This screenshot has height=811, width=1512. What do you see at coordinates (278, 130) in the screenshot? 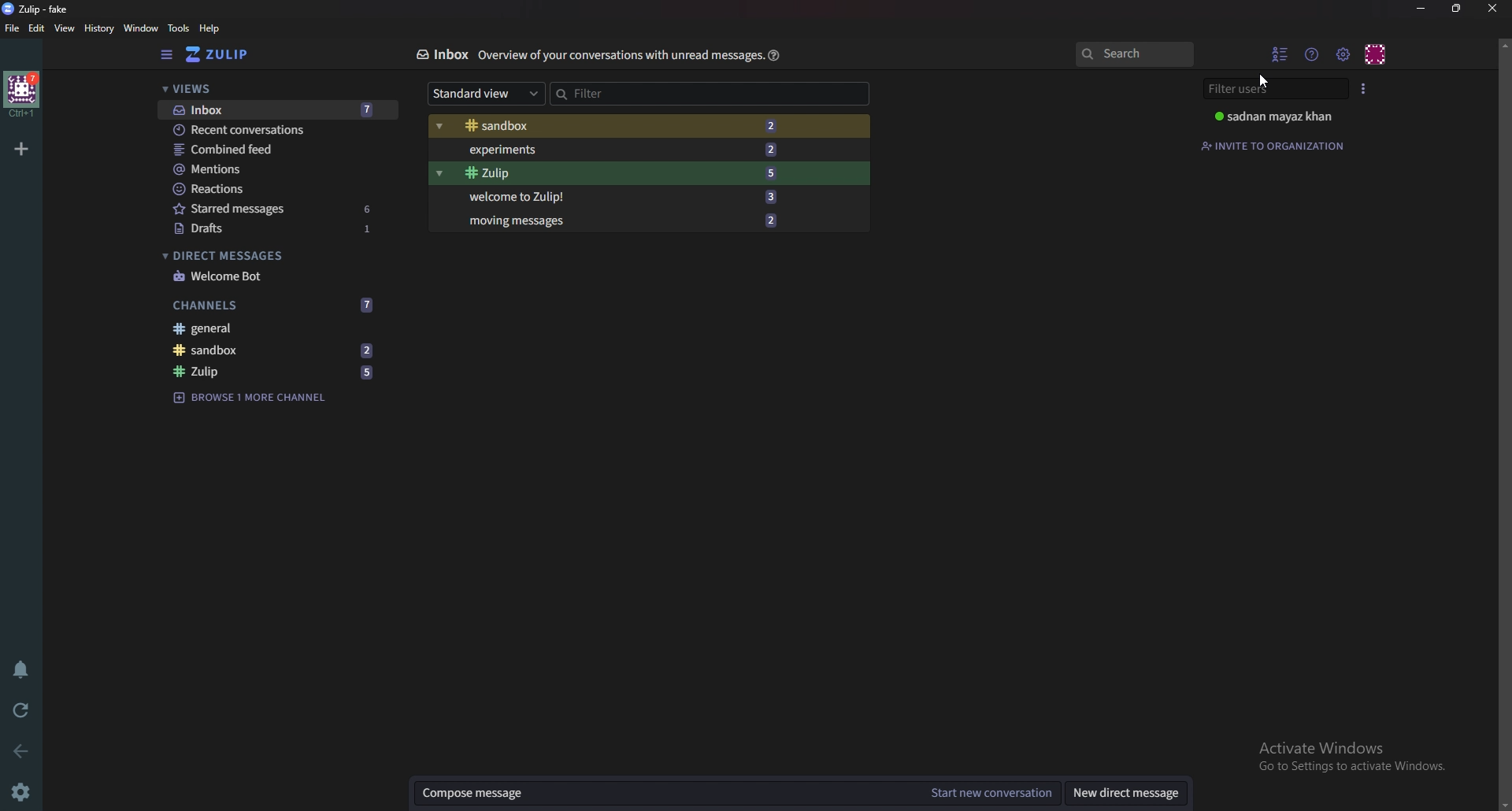
I see `Recent conversations` at bounding box center [278, 130].